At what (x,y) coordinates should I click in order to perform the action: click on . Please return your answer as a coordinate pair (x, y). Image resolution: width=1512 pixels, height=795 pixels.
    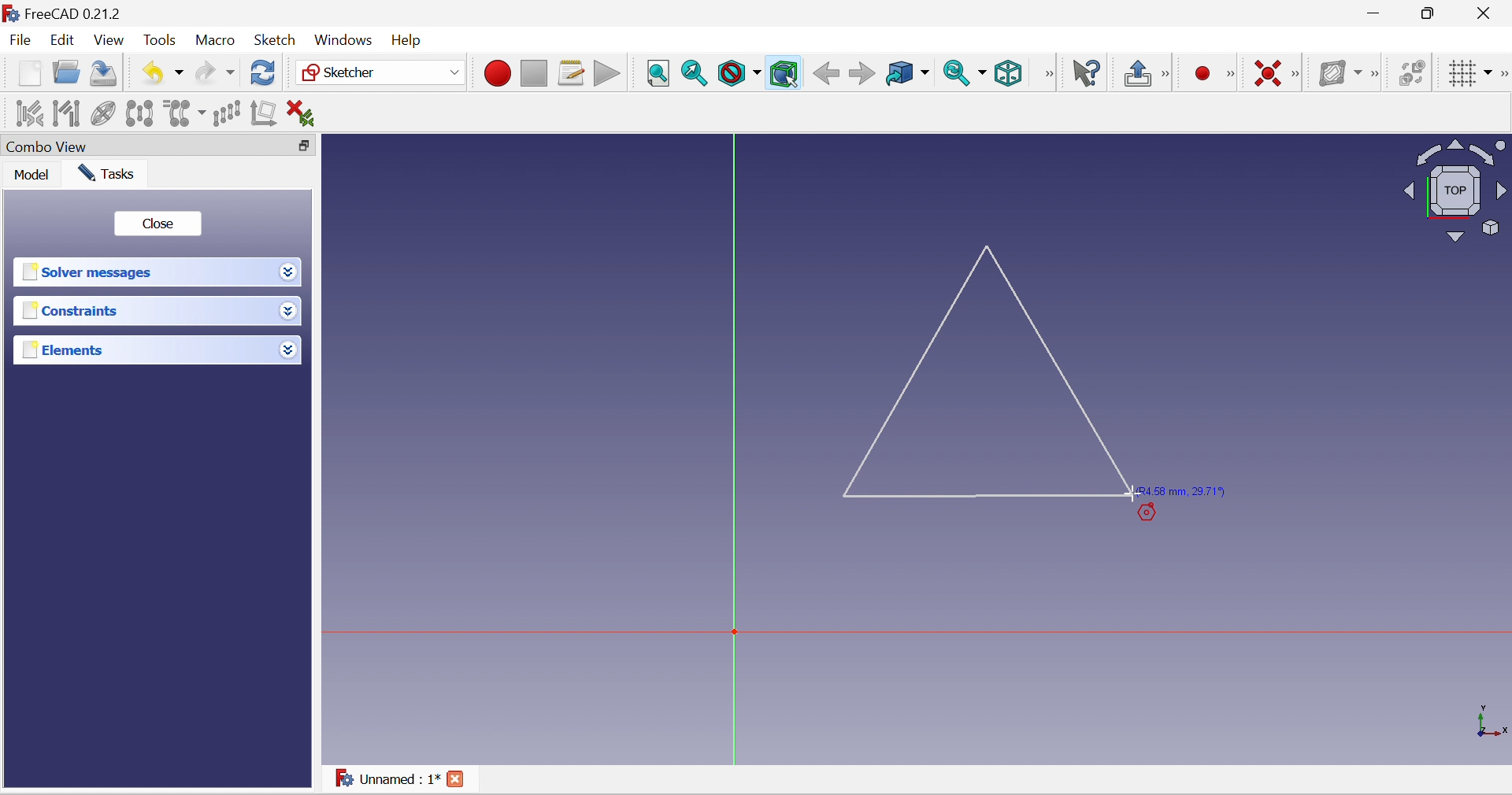
    Looking at the image, I should click on (410, 41).